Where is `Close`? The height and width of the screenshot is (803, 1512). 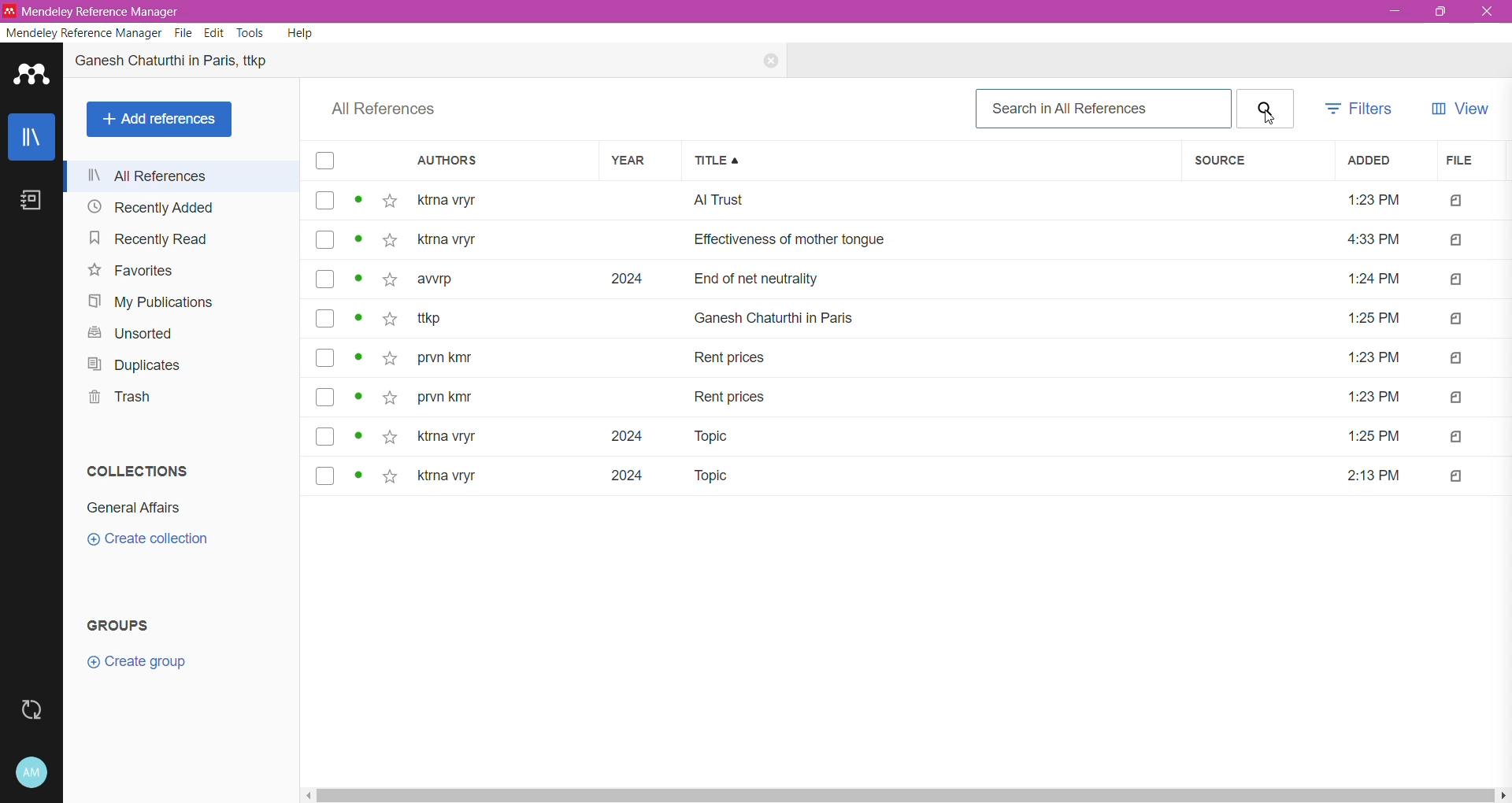
Close is located at coordinates (1486, 11).